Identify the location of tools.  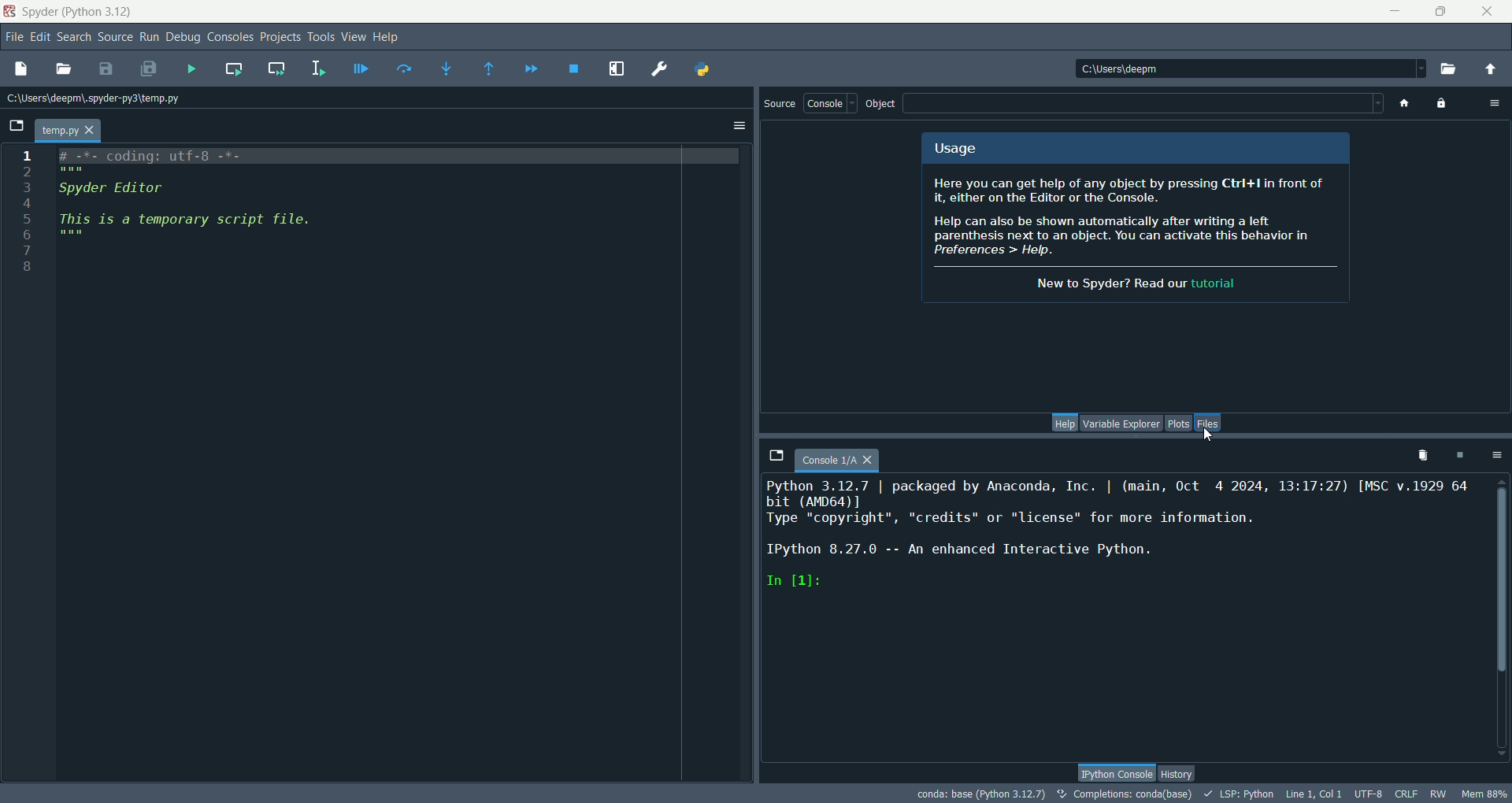
(322, 36).